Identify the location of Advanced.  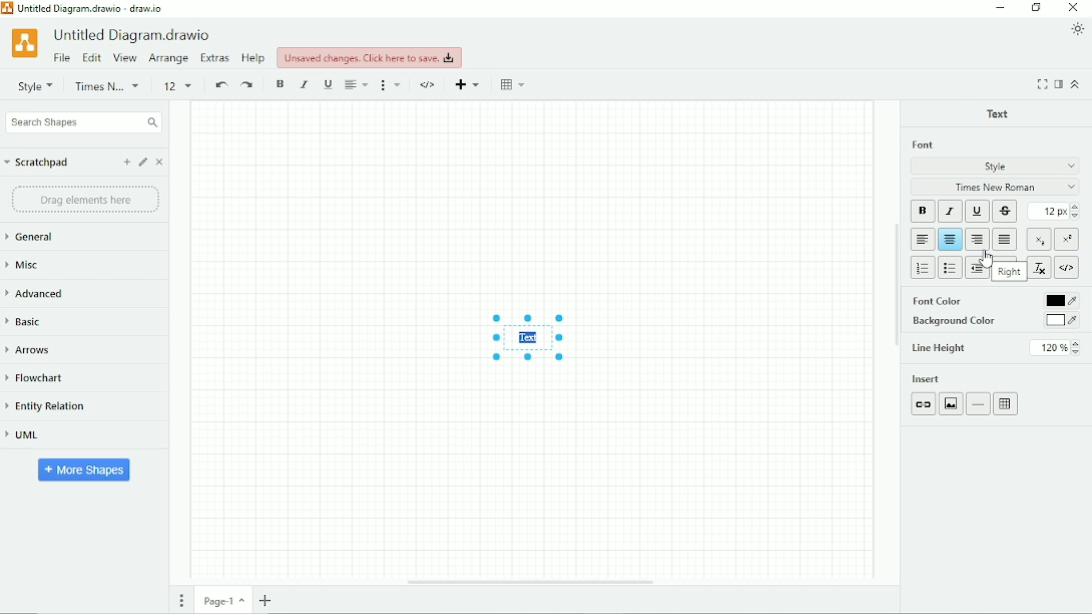
(38, 293).